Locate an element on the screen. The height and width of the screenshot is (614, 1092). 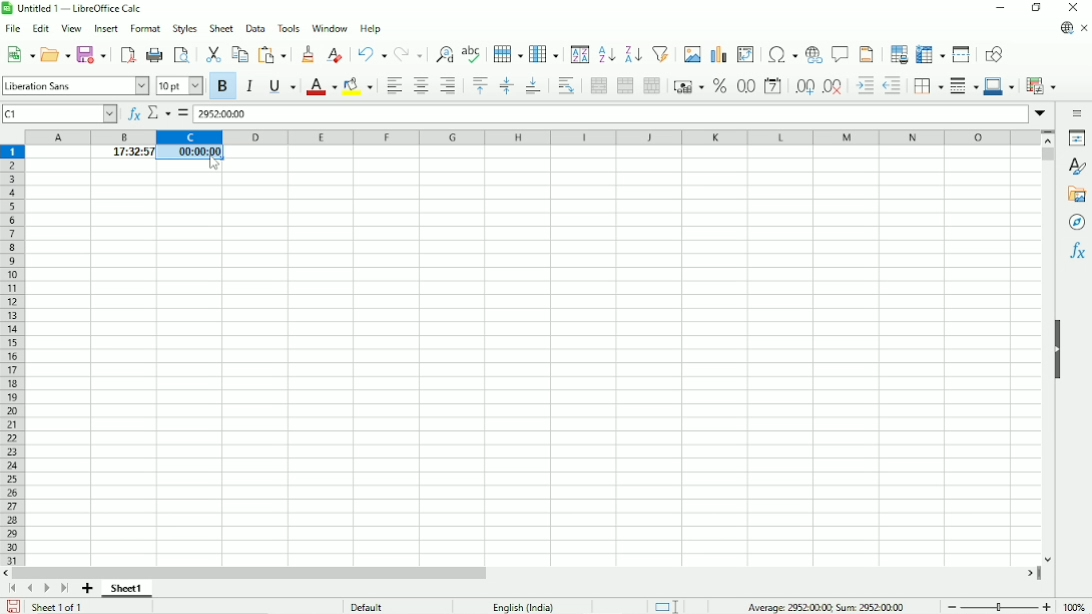
Unmerge cells is located at coordinates (652, 86).